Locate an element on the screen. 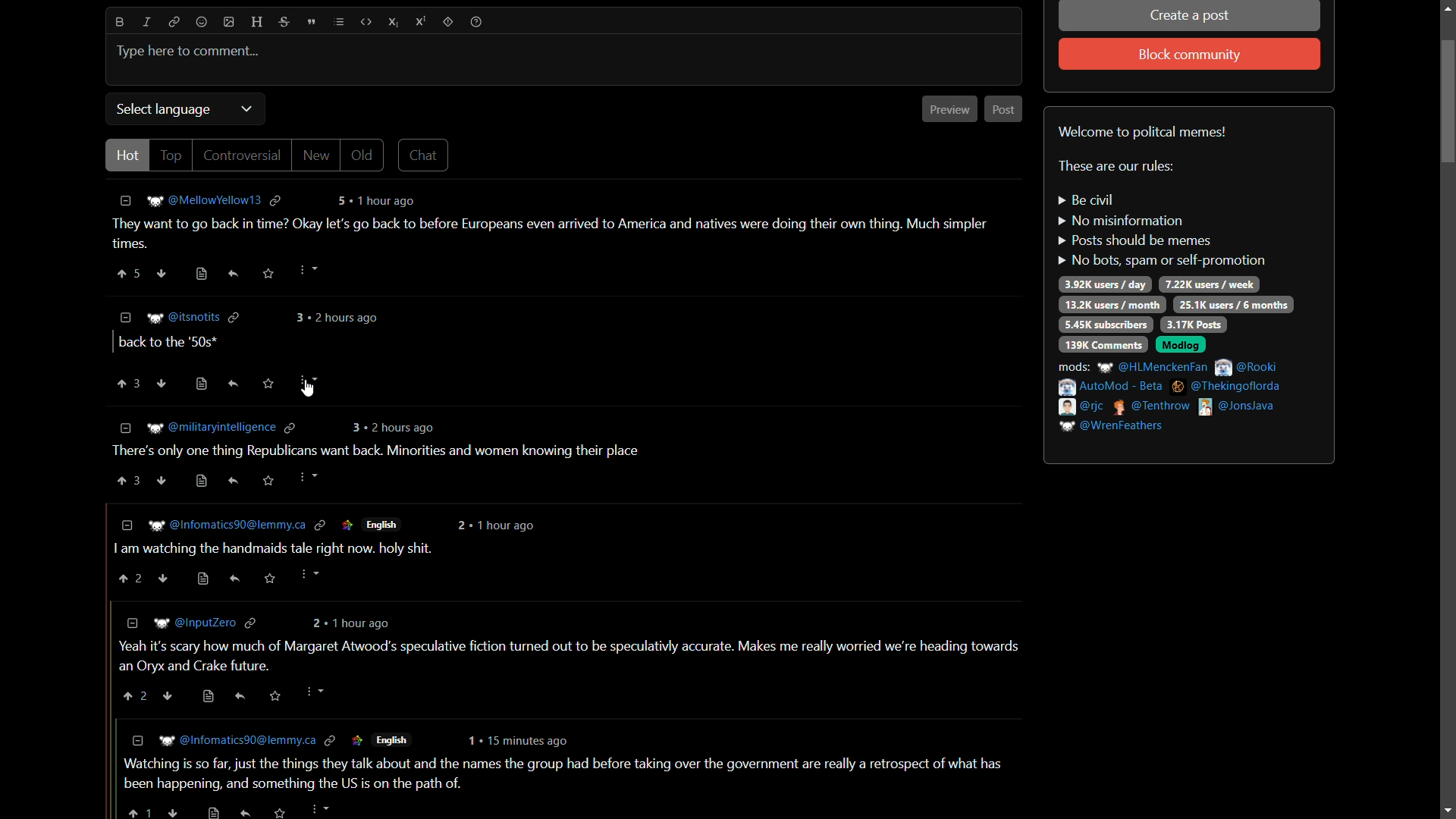  comment-5 is located at coordinates (576, 656).